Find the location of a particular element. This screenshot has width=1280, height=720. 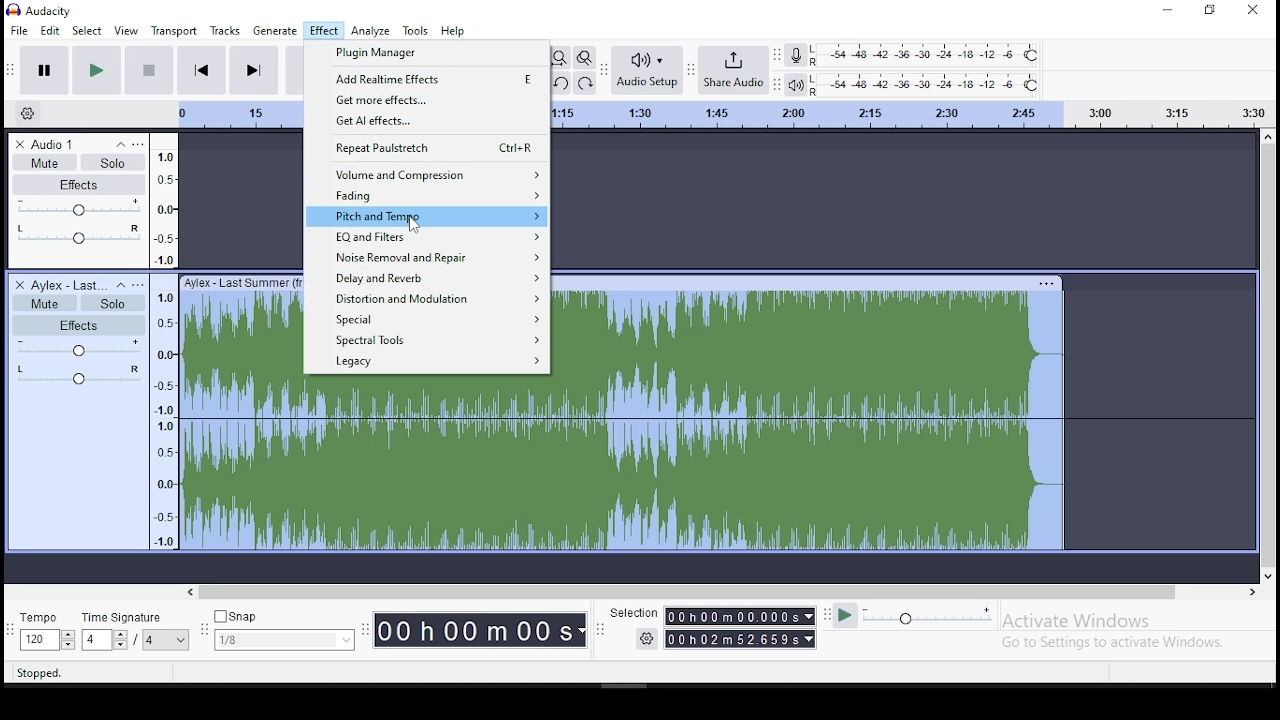

audio effect is located at coordinates (79, 381).